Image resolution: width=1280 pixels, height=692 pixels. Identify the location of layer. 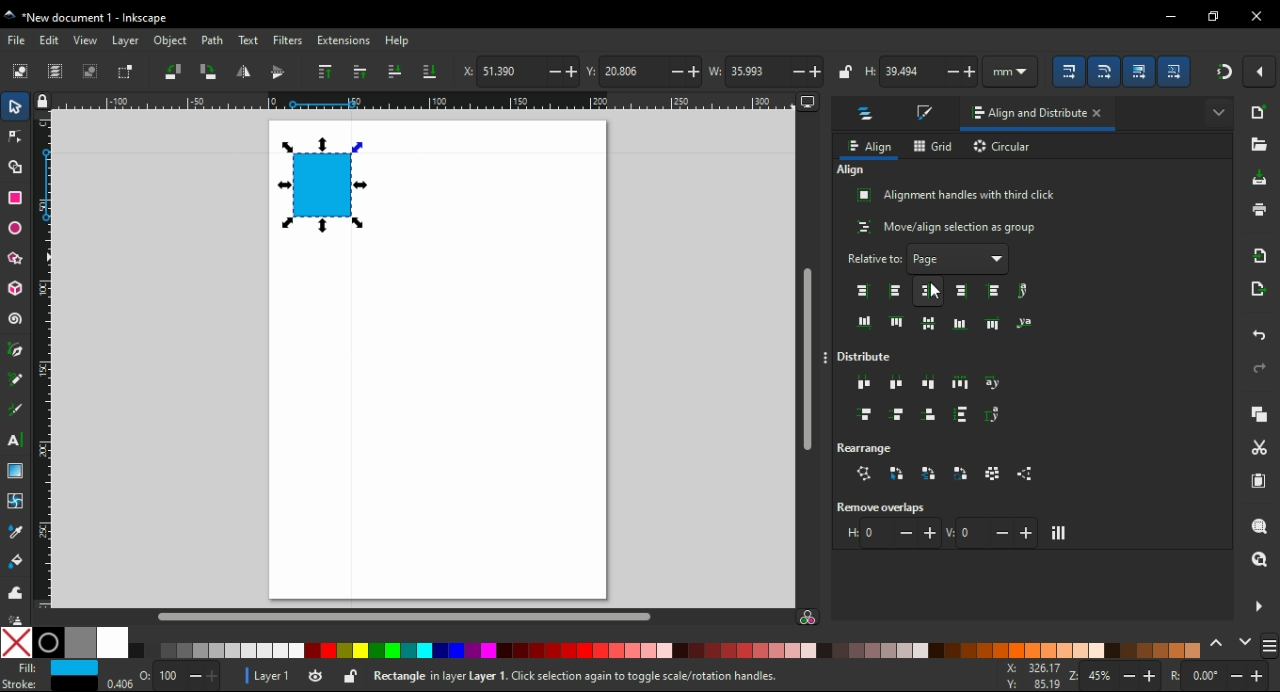
(265, 675).